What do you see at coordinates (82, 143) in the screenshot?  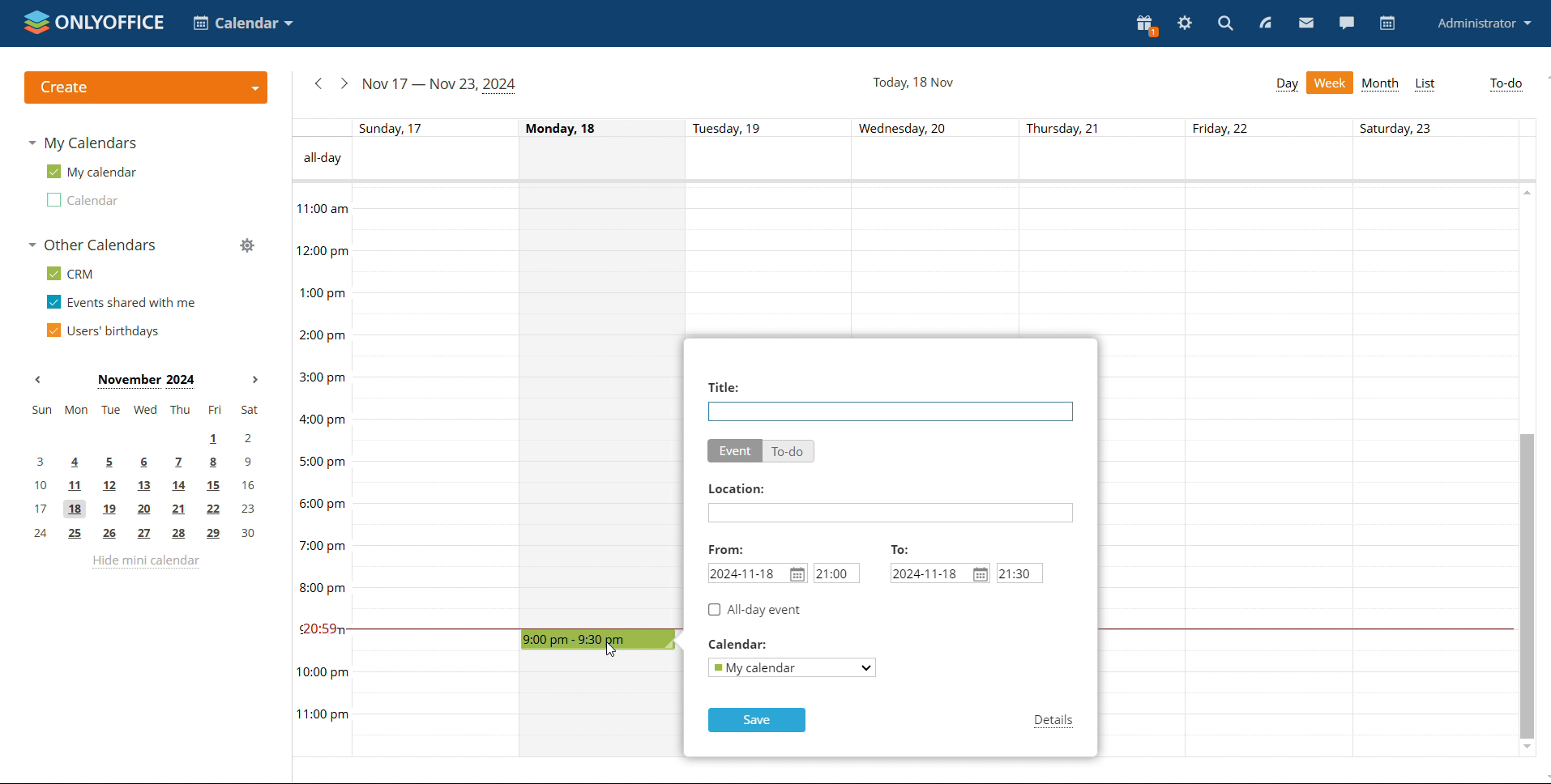 I see `my calendars` at bounding box center [82, 143].